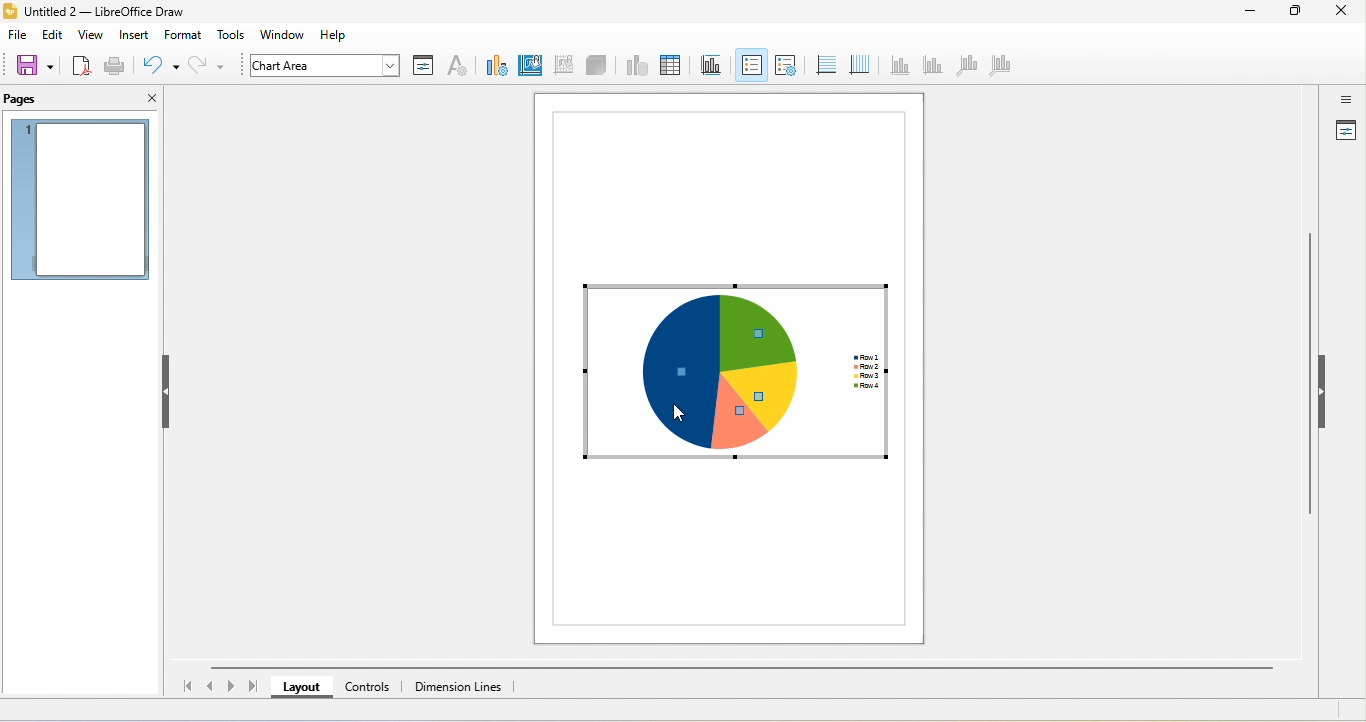 The width and height of the screenshot is (1366, 722). I want to click on chart area, so click(319, 65).